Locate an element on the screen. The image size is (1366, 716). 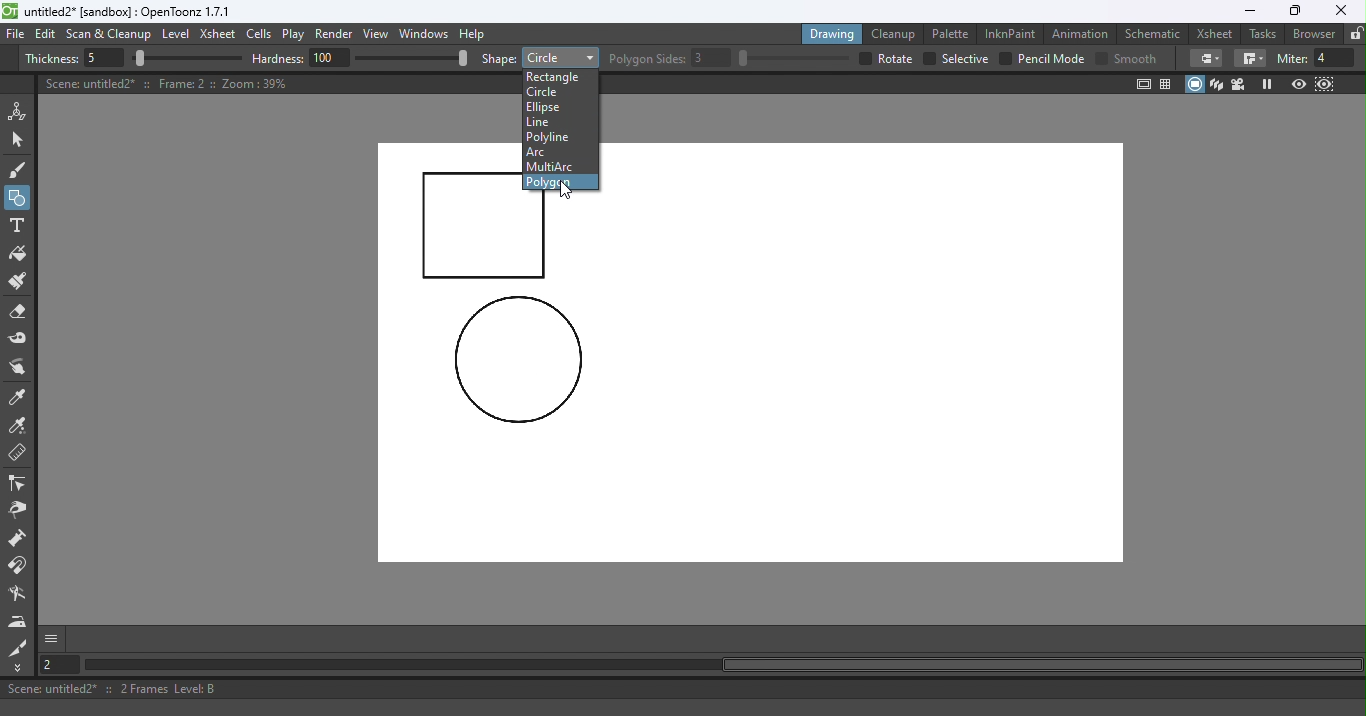
Horizontal scroll bar is located at coordinates (722, 665).